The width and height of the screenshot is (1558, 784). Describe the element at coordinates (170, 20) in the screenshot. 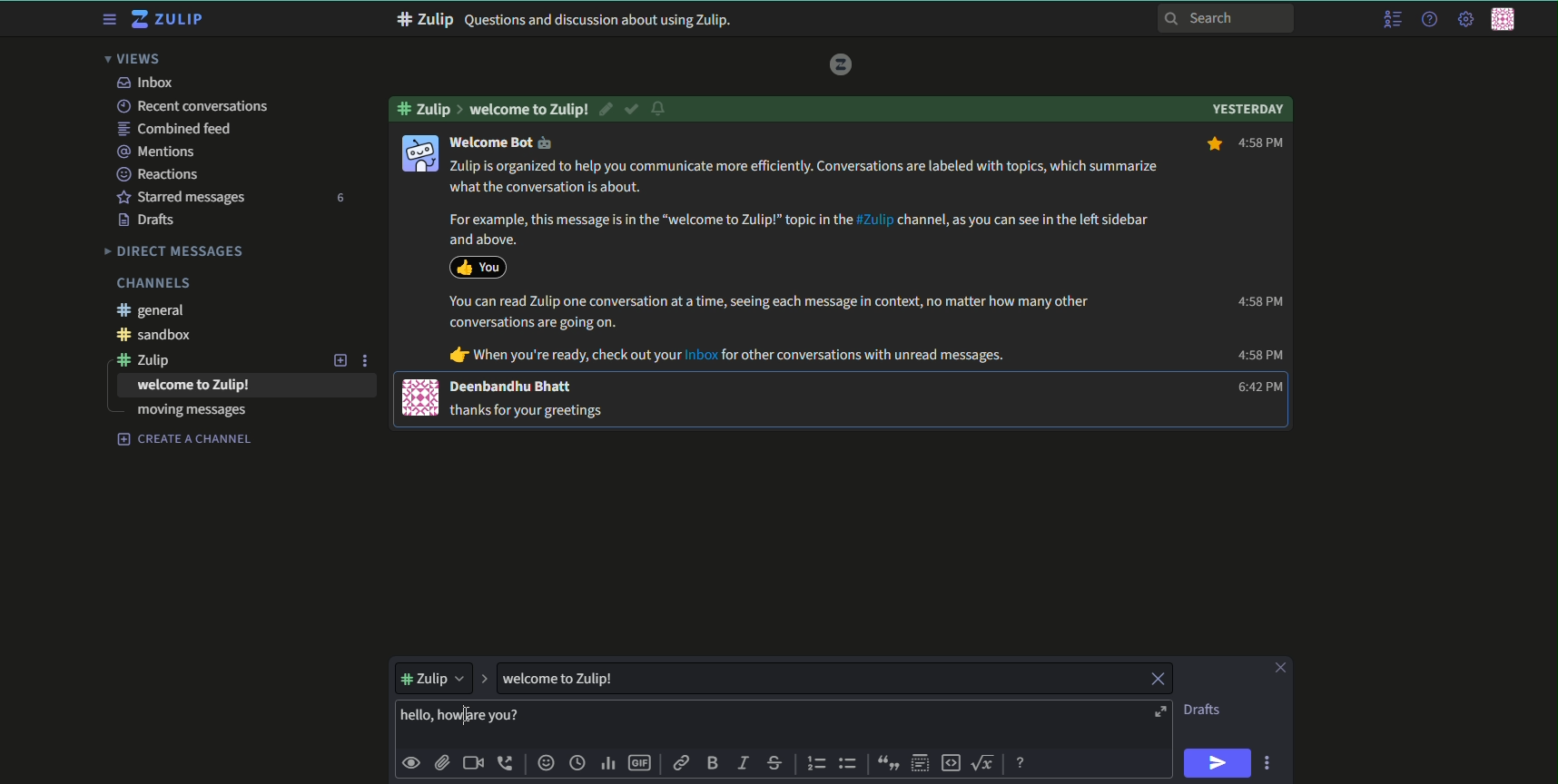

I see `title and logo` at that location.